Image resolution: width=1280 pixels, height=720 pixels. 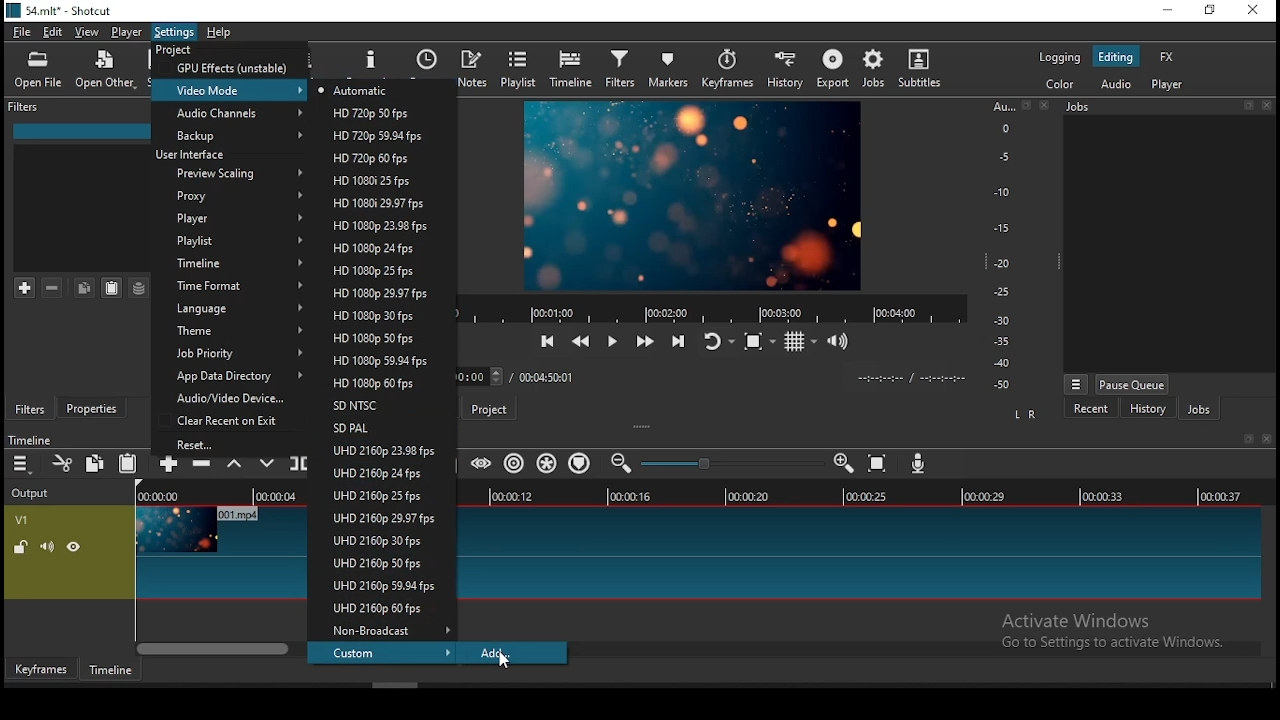 What do you see at coordinates (373, 156) in the screenshot?
I see `resolution option` at bounding box center [373, 156].